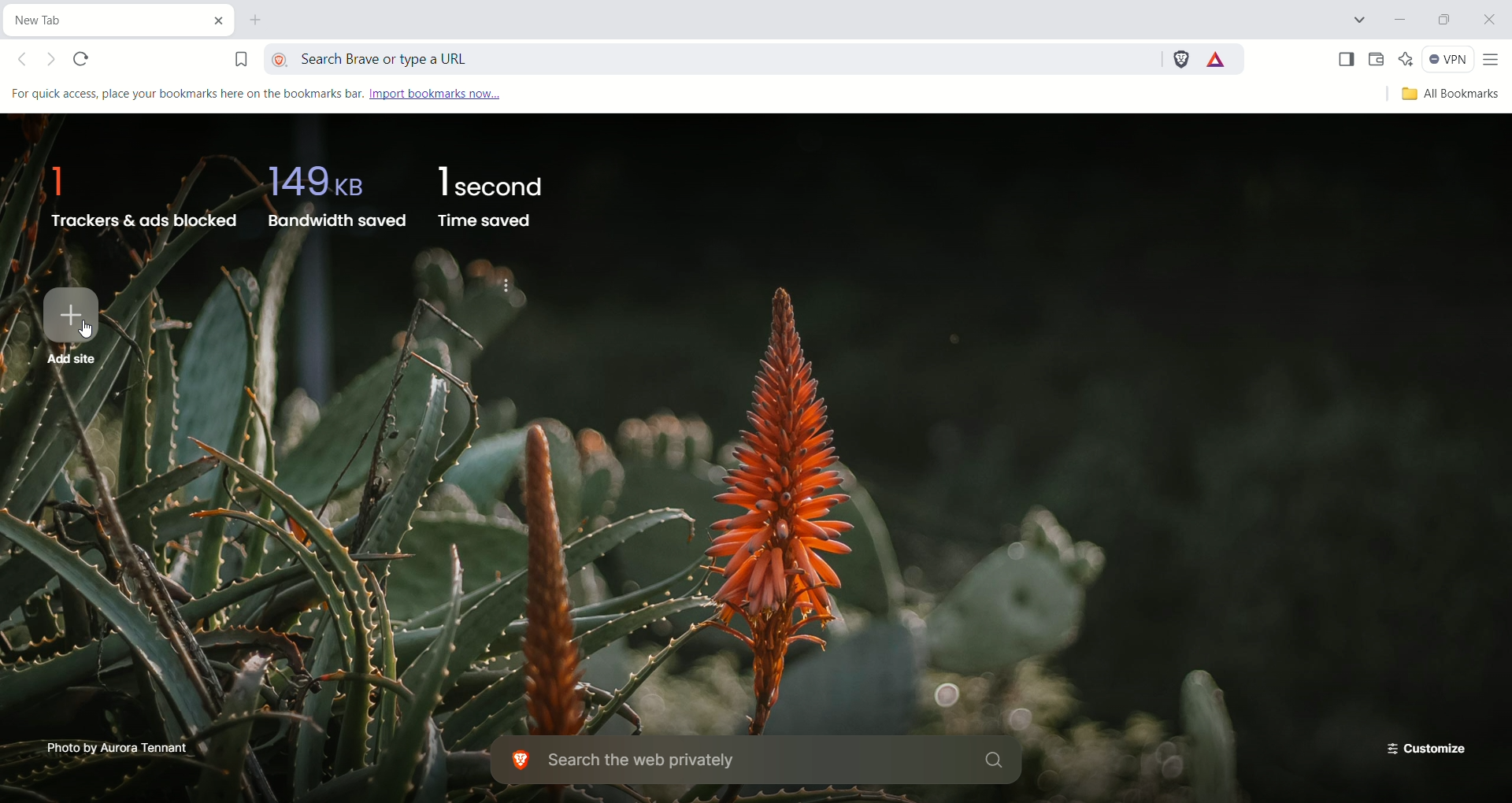 This screenshot has width=1512, height=803. I want to click on Hide brave stats, so click(509, 287).